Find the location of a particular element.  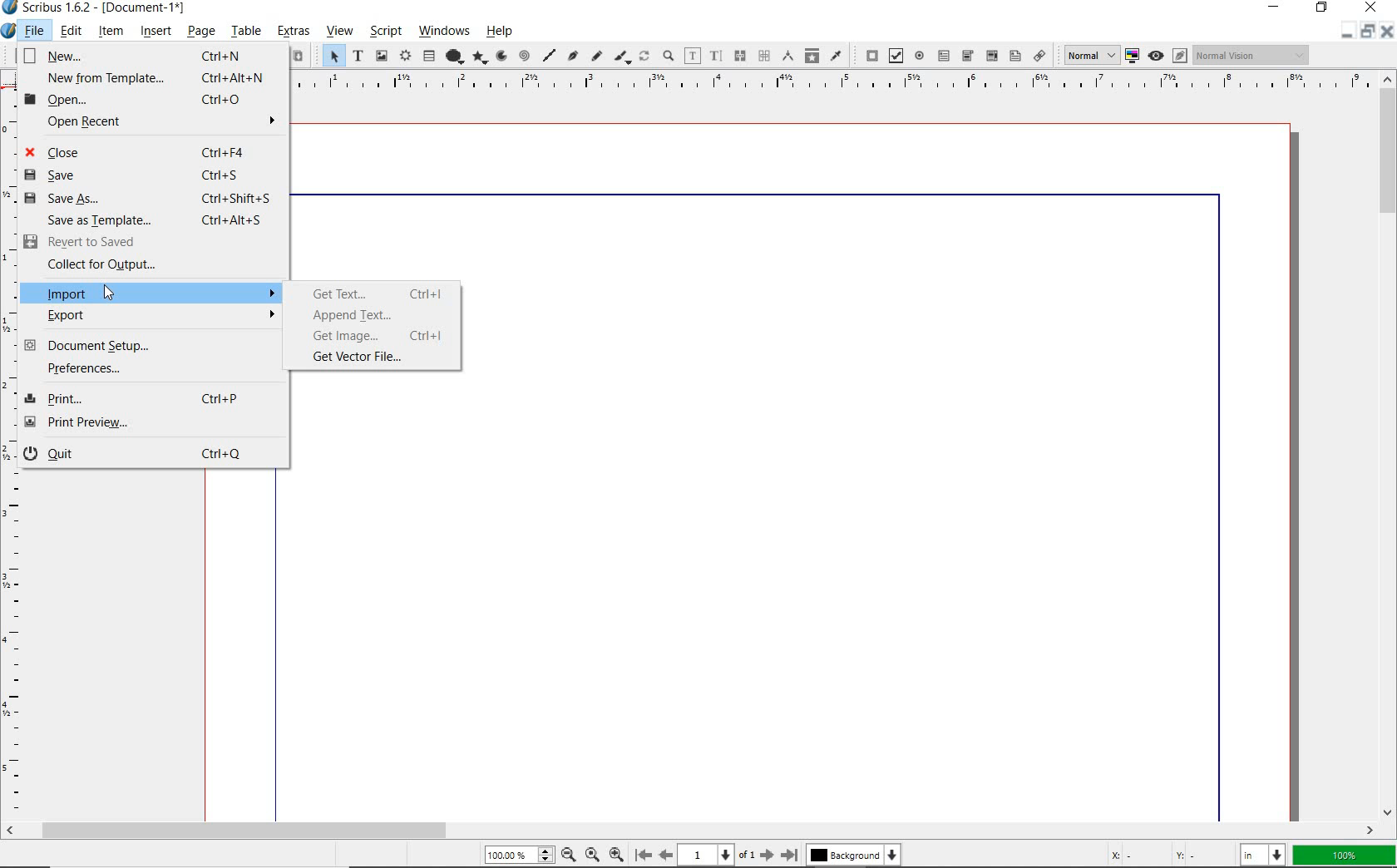

table is located at coordinates (427, 57).